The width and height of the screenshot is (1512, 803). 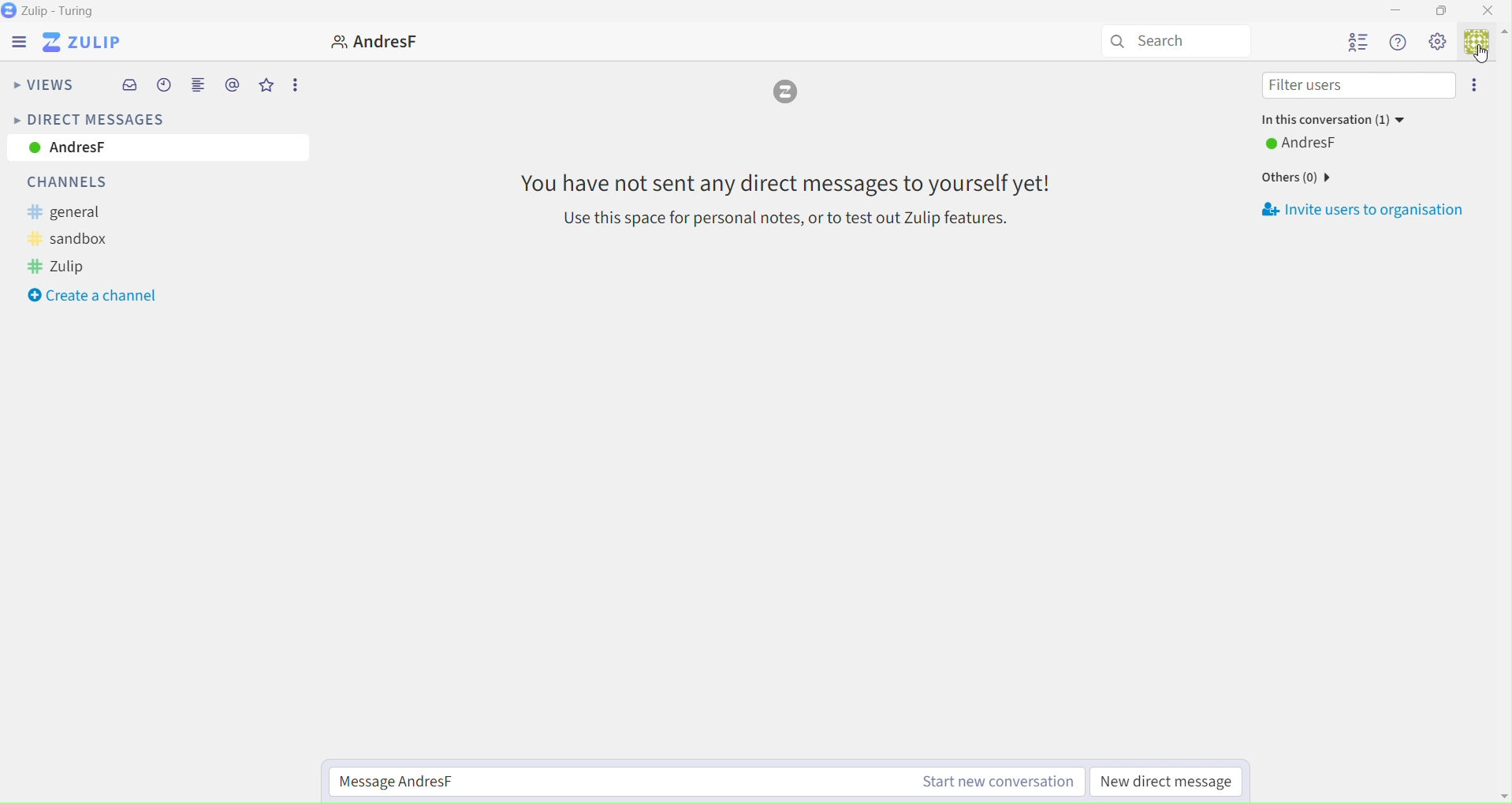 What do you see at coordinates (1398, 43) in the screenshot?
I see `Help` at bounding box center [1398, 43].